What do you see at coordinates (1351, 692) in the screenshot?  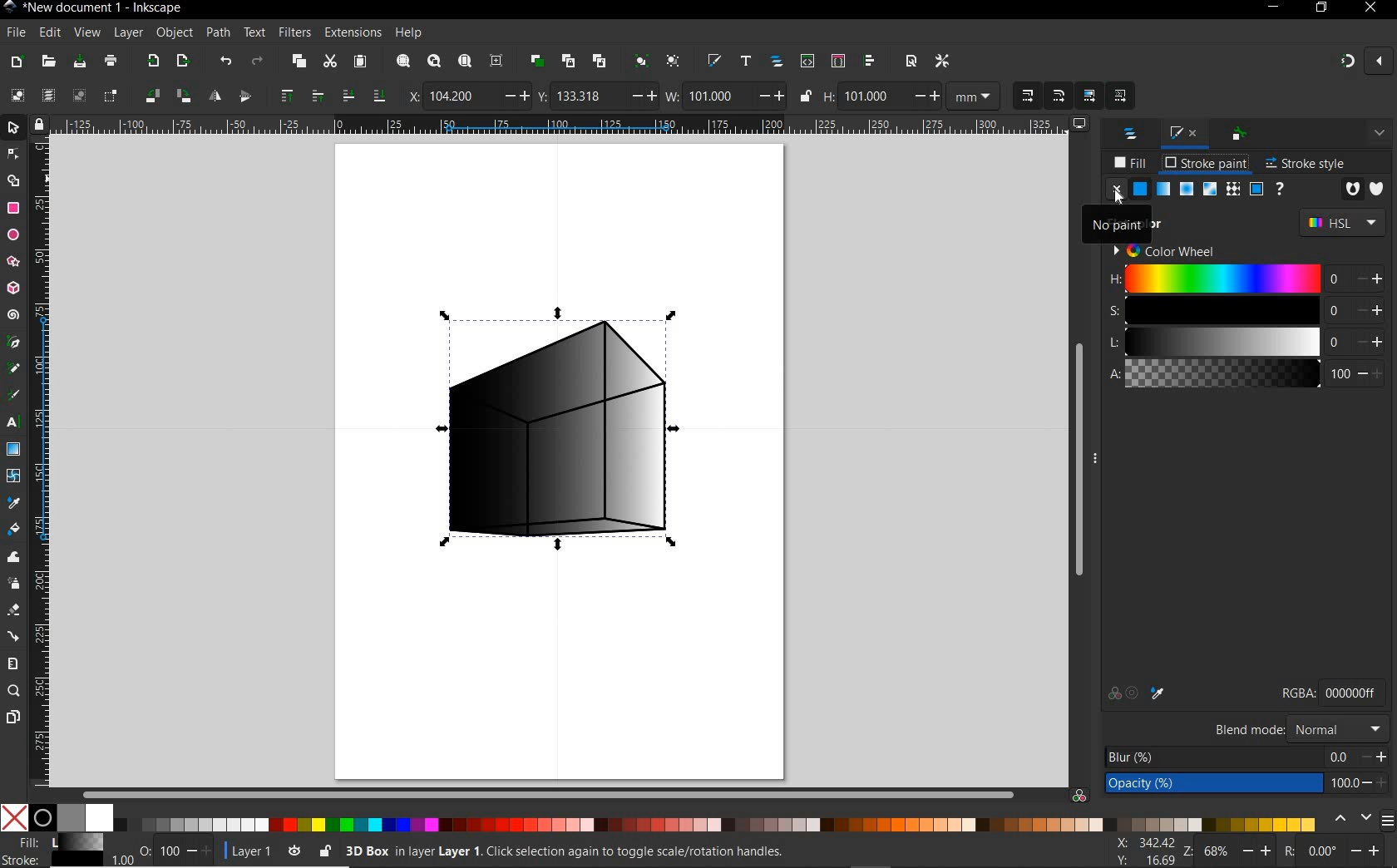 I see `COLOR MANAGED MODE` at bounding box center [1351, 692].